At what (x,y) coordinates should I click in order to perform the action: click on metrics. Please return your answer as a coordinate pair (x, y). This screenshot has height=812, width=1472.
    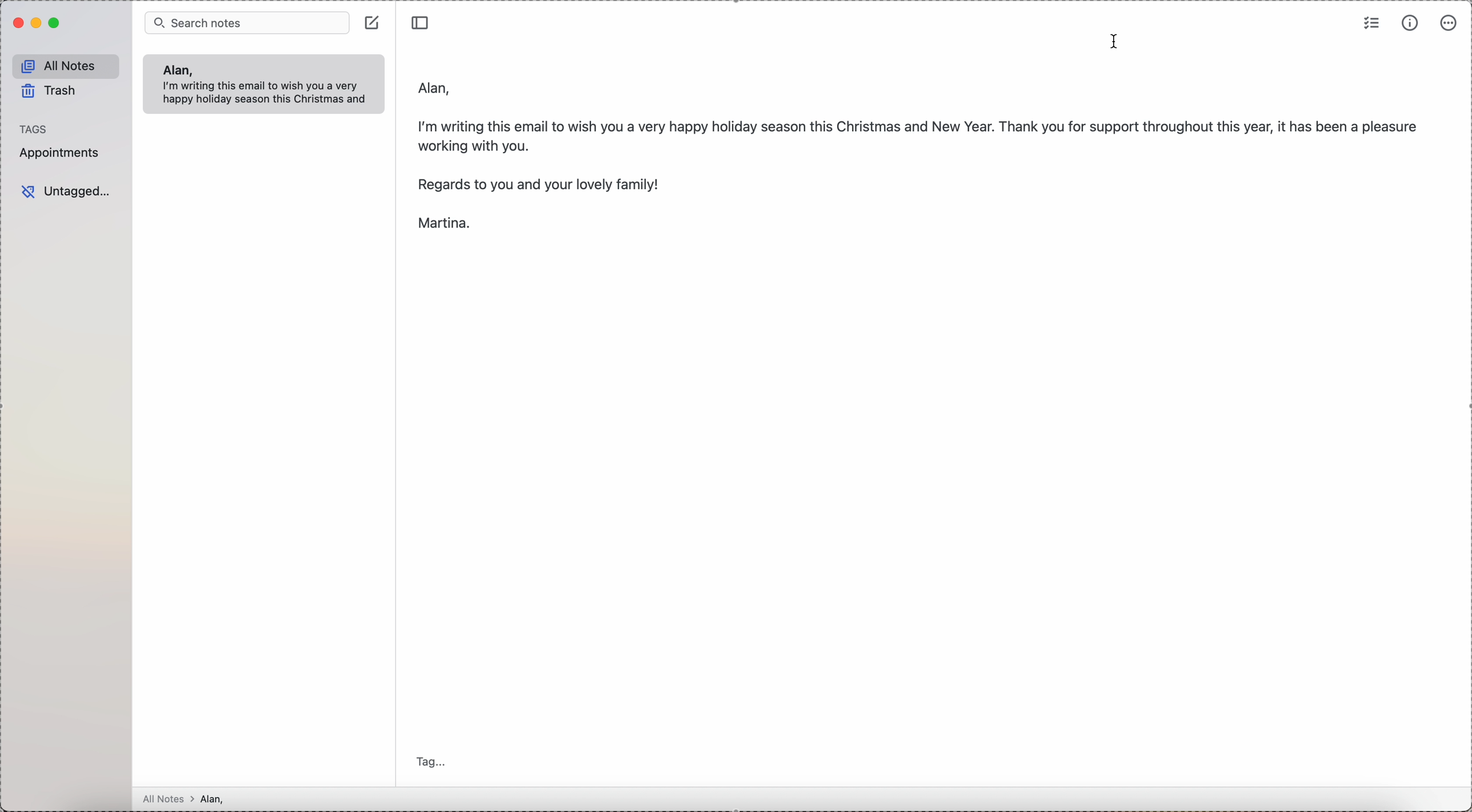
    Looking at the image, I should click on (1410, 23).